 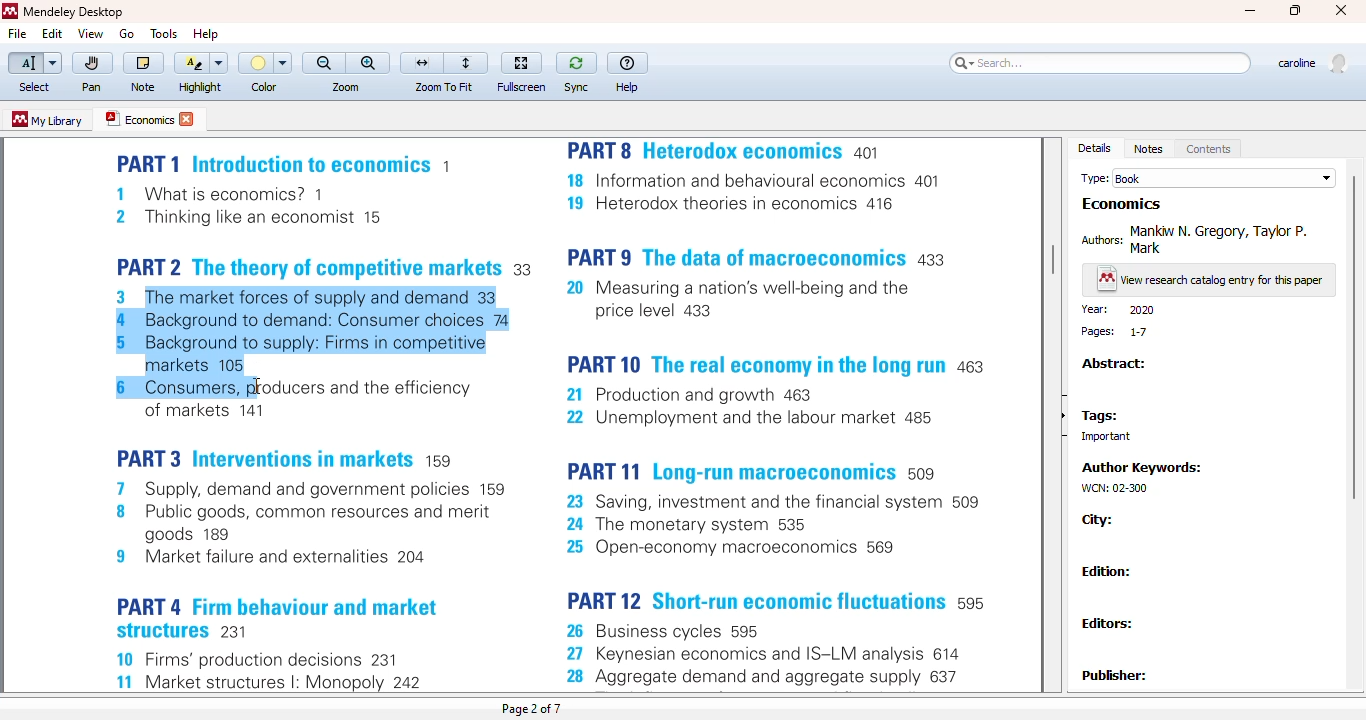 I want to click on color, so click(x=264, y=87).